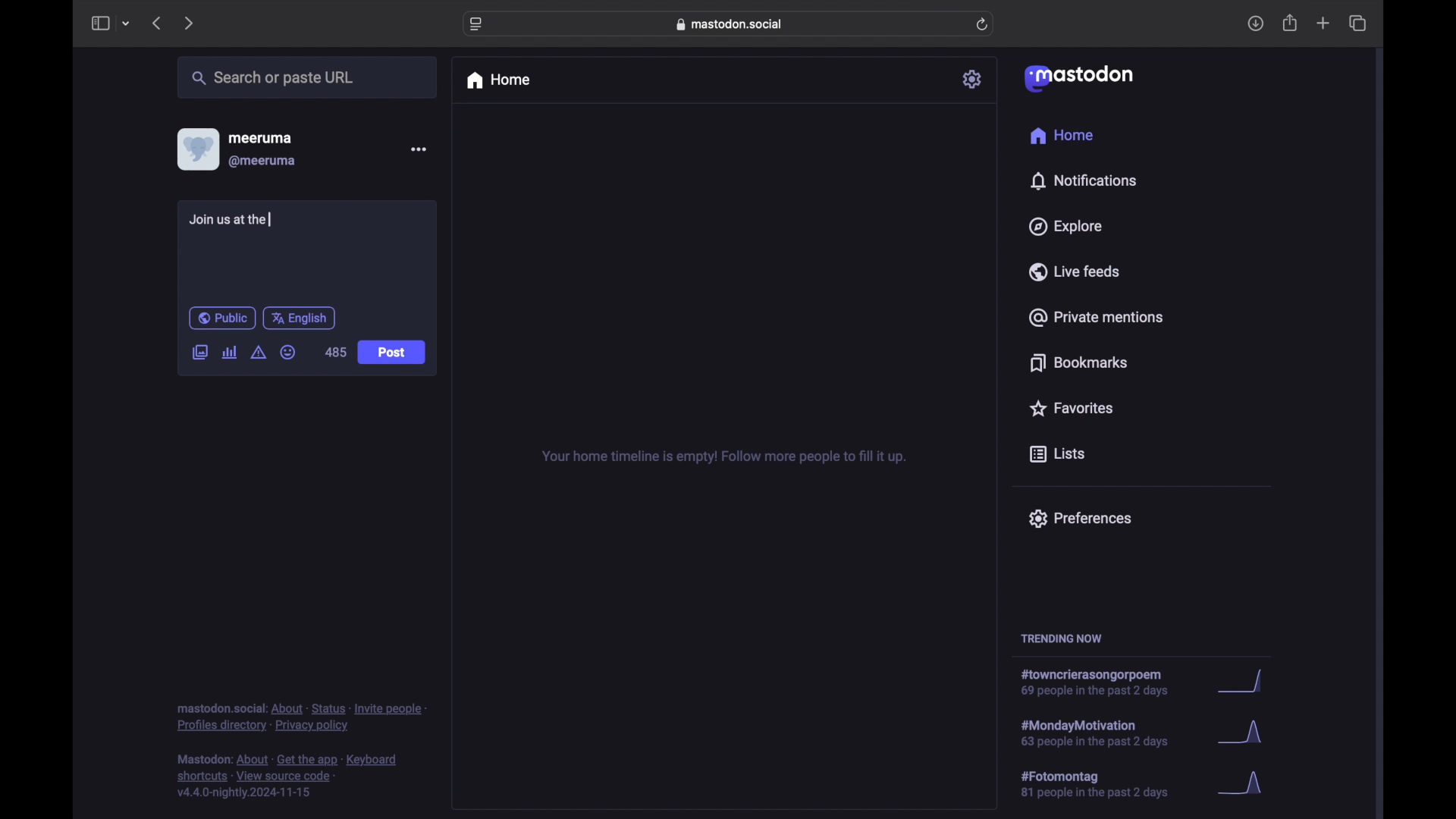 The image size is (1456, 819). Describe the element at coordinates (419, 149) in the screenshot. I see `more options` at that location.